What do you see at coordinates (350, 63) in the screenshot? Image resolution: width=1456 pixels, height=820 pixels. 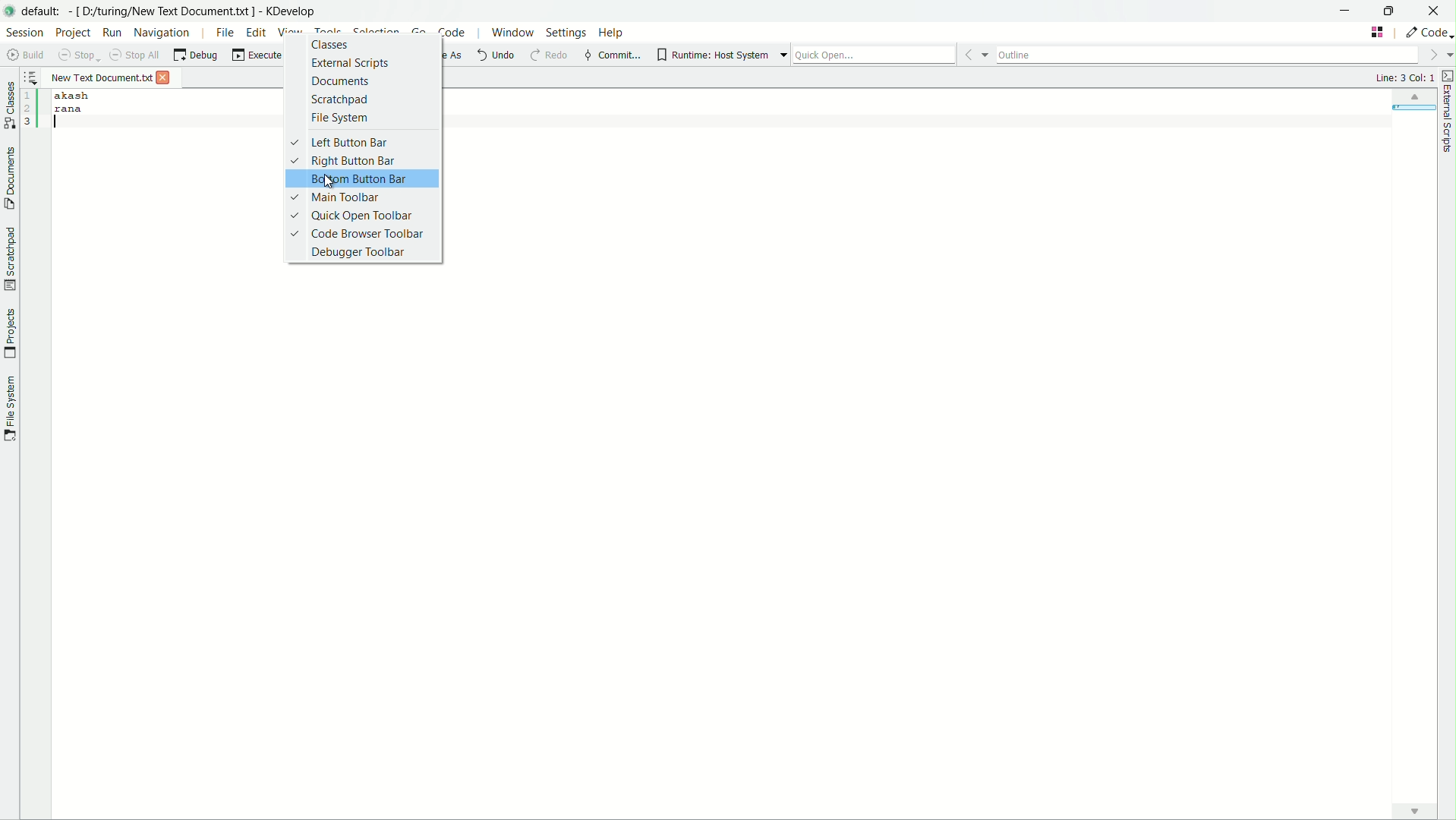 I see `external scripts` at bounding box center [350, 63].